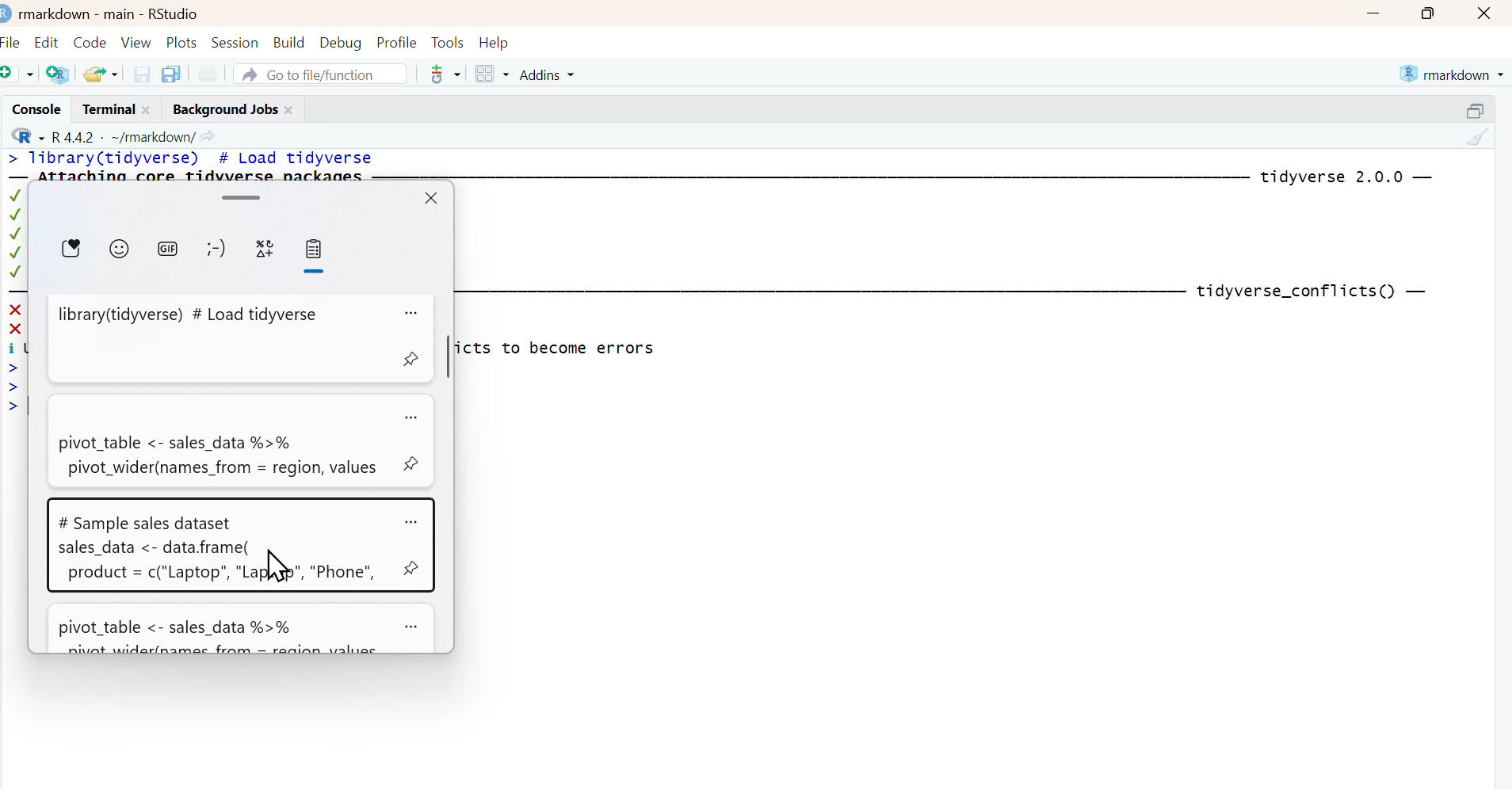 This screenshot has width=1512, height=789. What do you see at coordinates (414, 464) in the screenshot?
I see `pin` at bounding box center [414, 464].